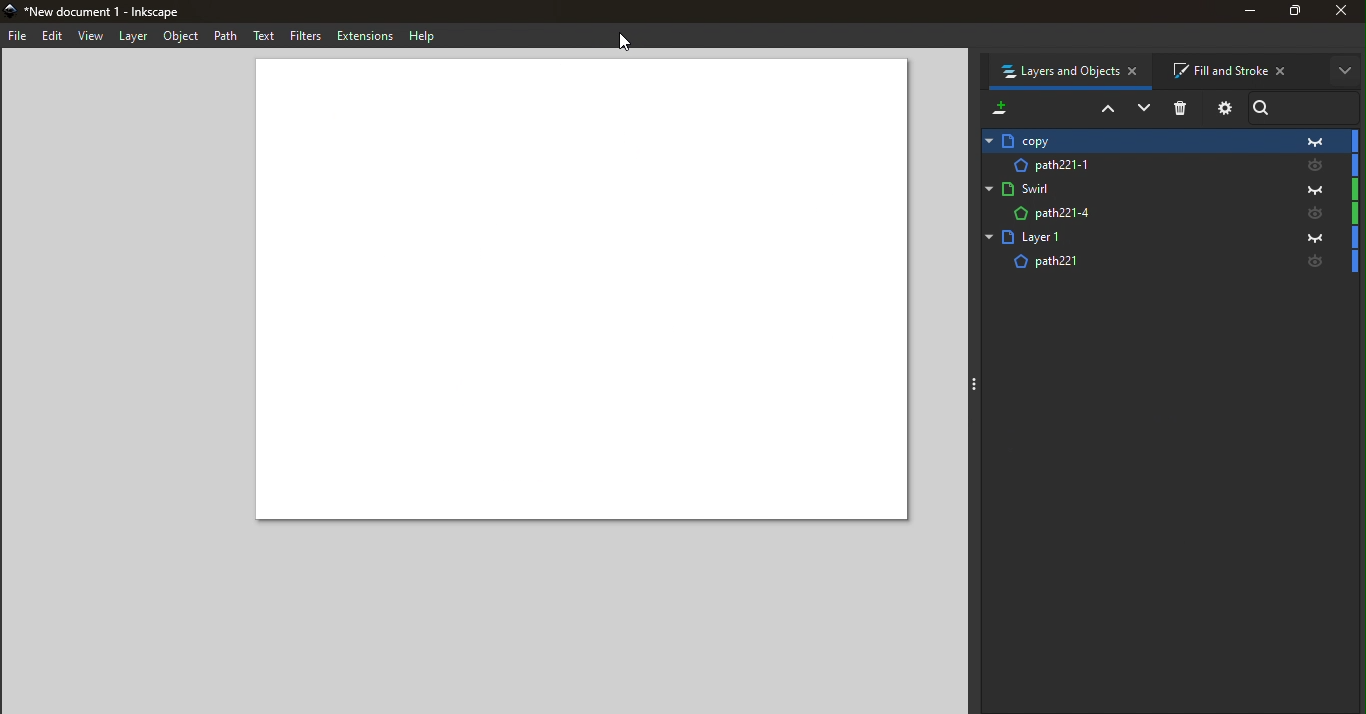 This screenshot has height=714, width=1366. What do you see at coordinates (1319, 214) in the screenshot?
I see `hide/unhide layer` at bounding box center [1319, 214].